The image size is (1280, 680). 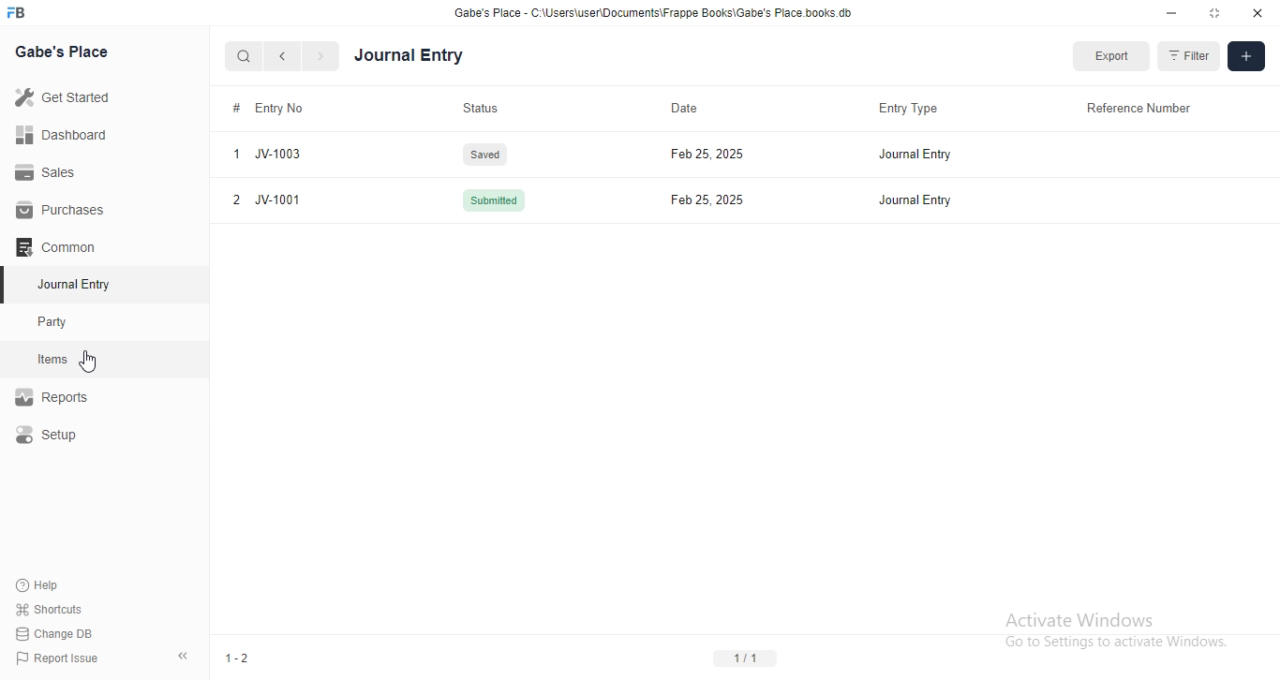 What do you see at coordinates (60, 245) in the screenshot?
I see `Common` at bounding box center [60, 245].